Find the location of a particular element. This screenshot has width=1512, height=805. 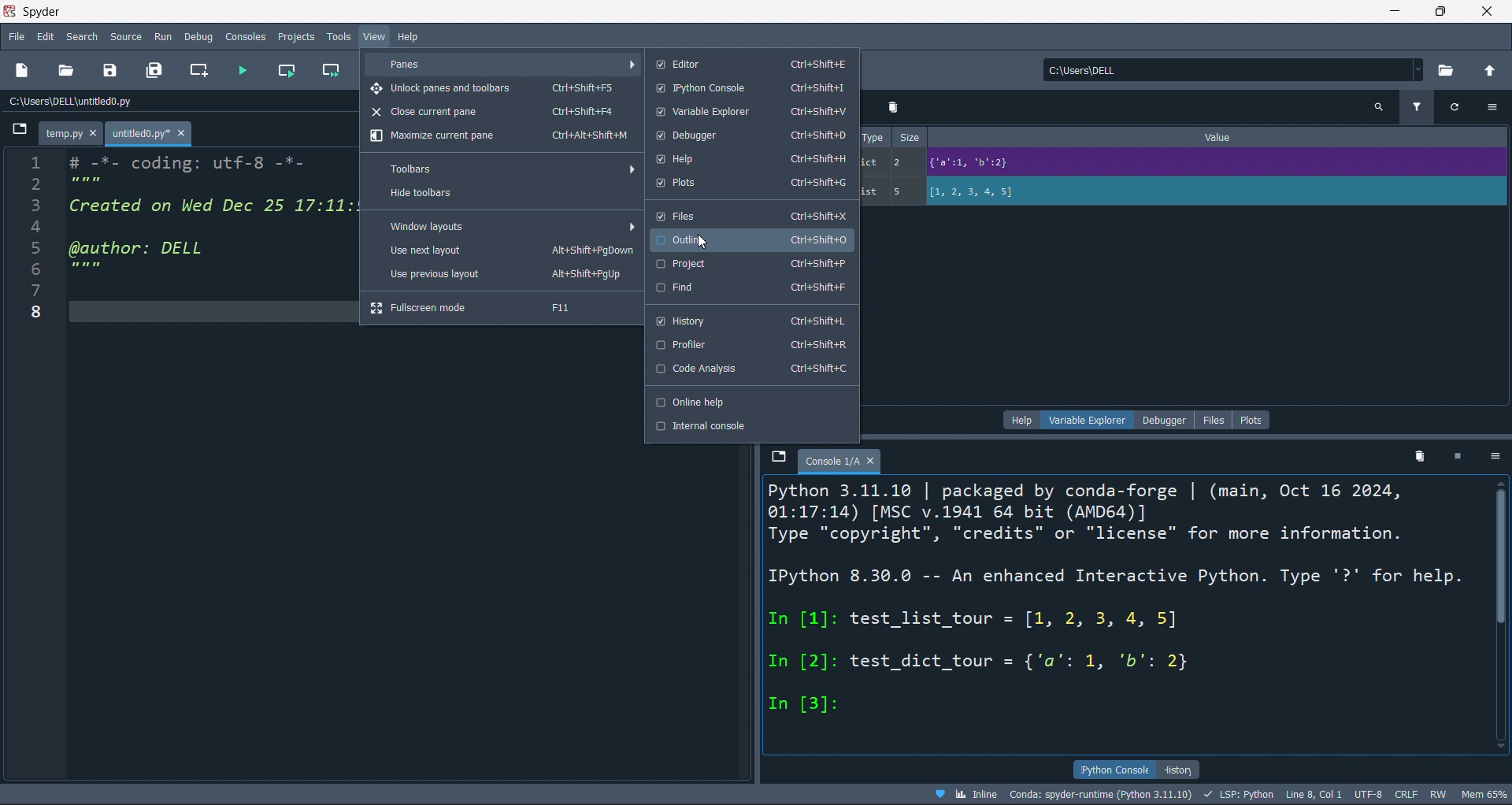

more options is located at coordinates (1498, 457).